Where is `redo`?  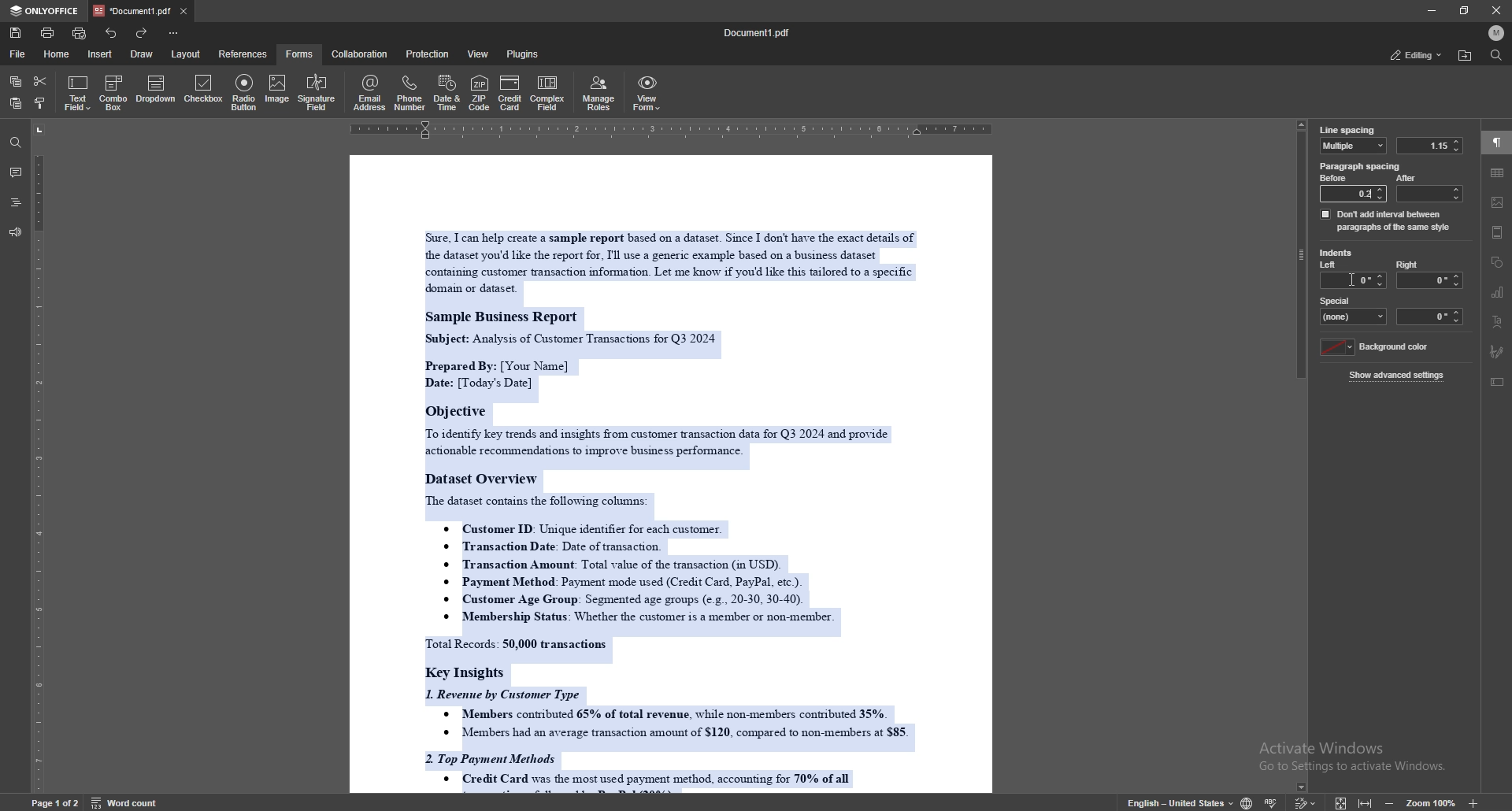
redo is located at coordinates (140, 33).